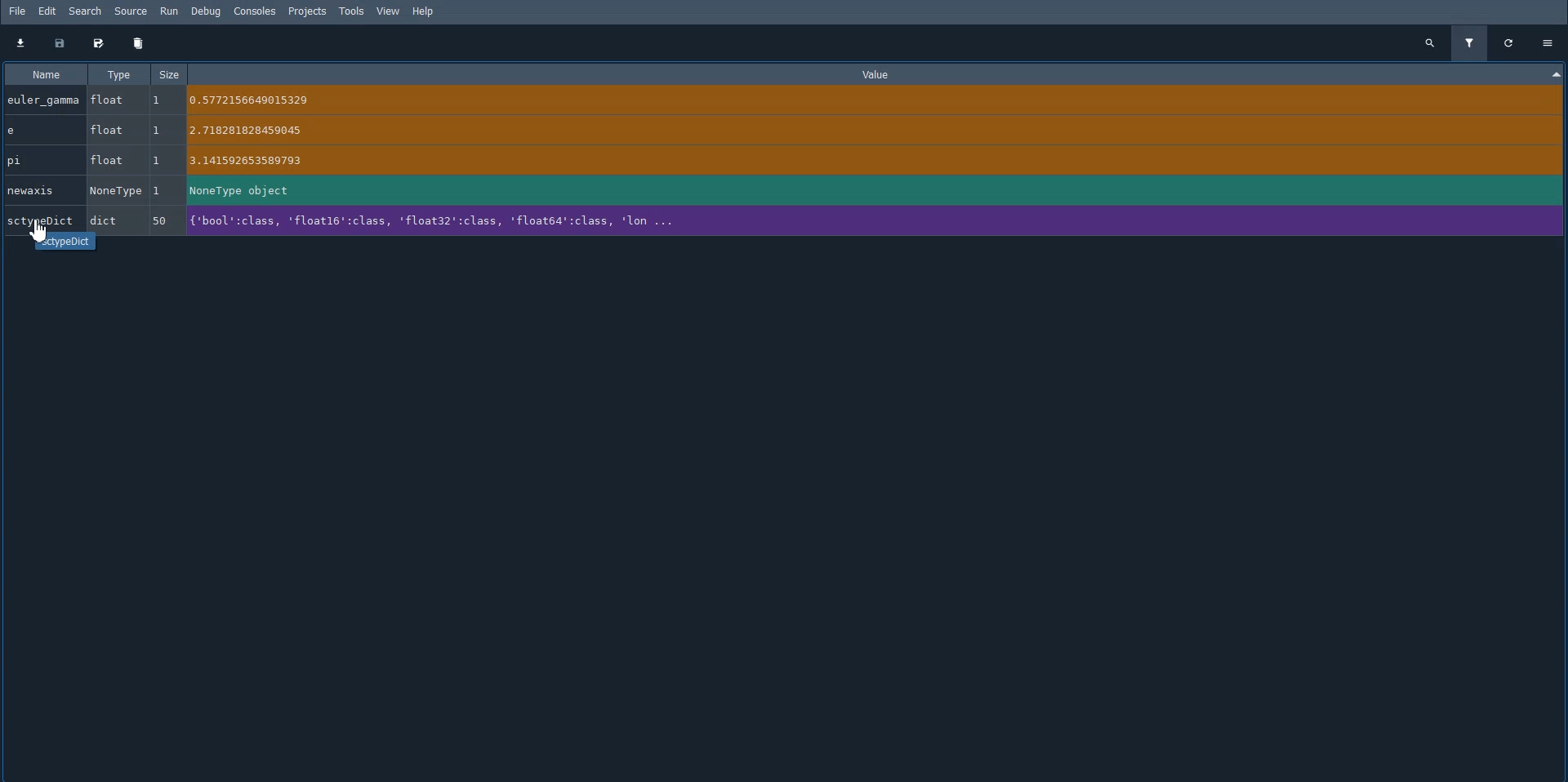 The height and width of the screenshot is (782, 1568). Describe the element at coordinates (278, 190) in the screenshot. I see `newaxis` at that location.